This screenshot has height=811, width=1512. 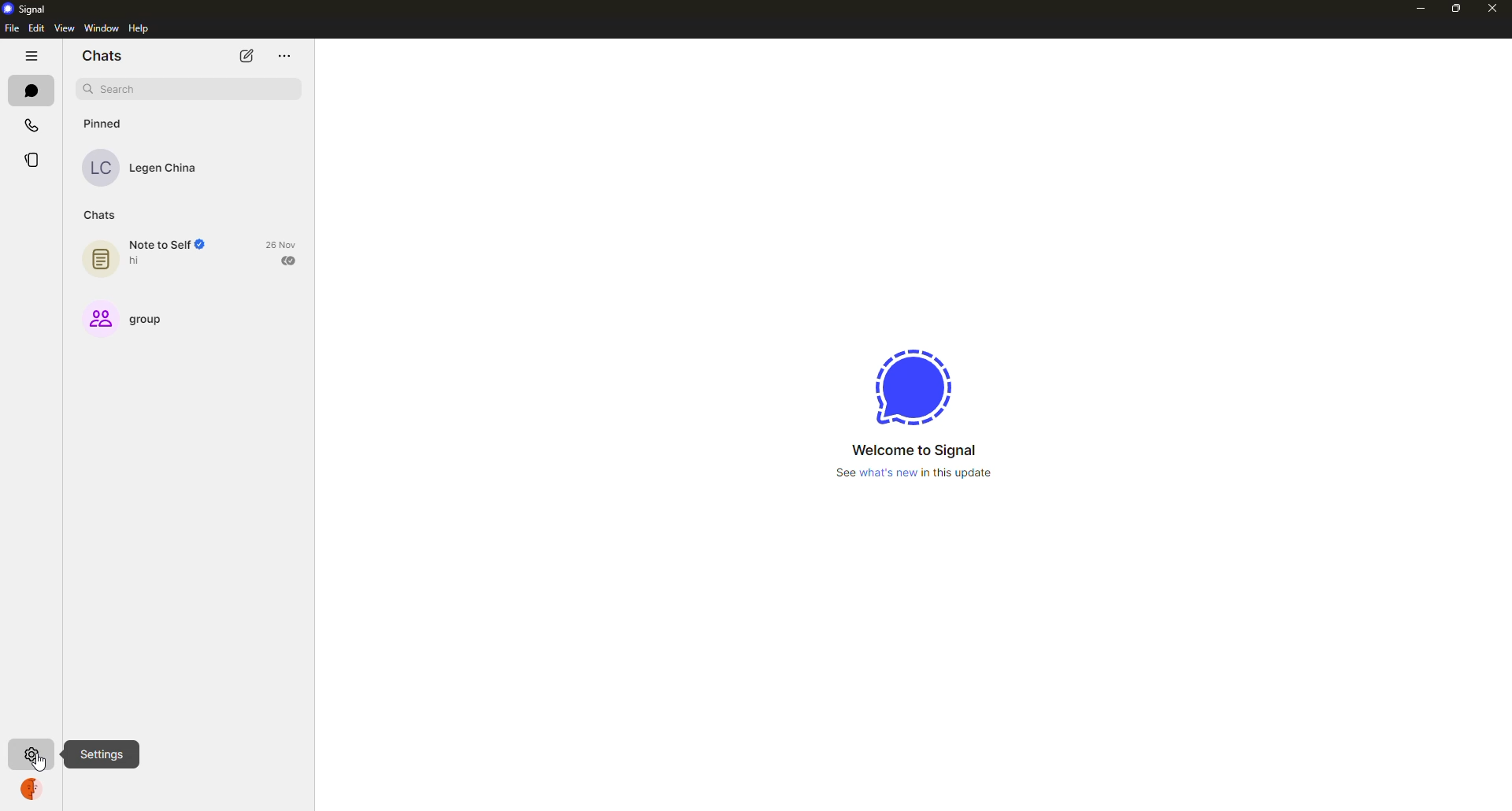 What do you see at coordinates (11, 28) in the screenshot?
I see `file` at bounding box center [11, 28].